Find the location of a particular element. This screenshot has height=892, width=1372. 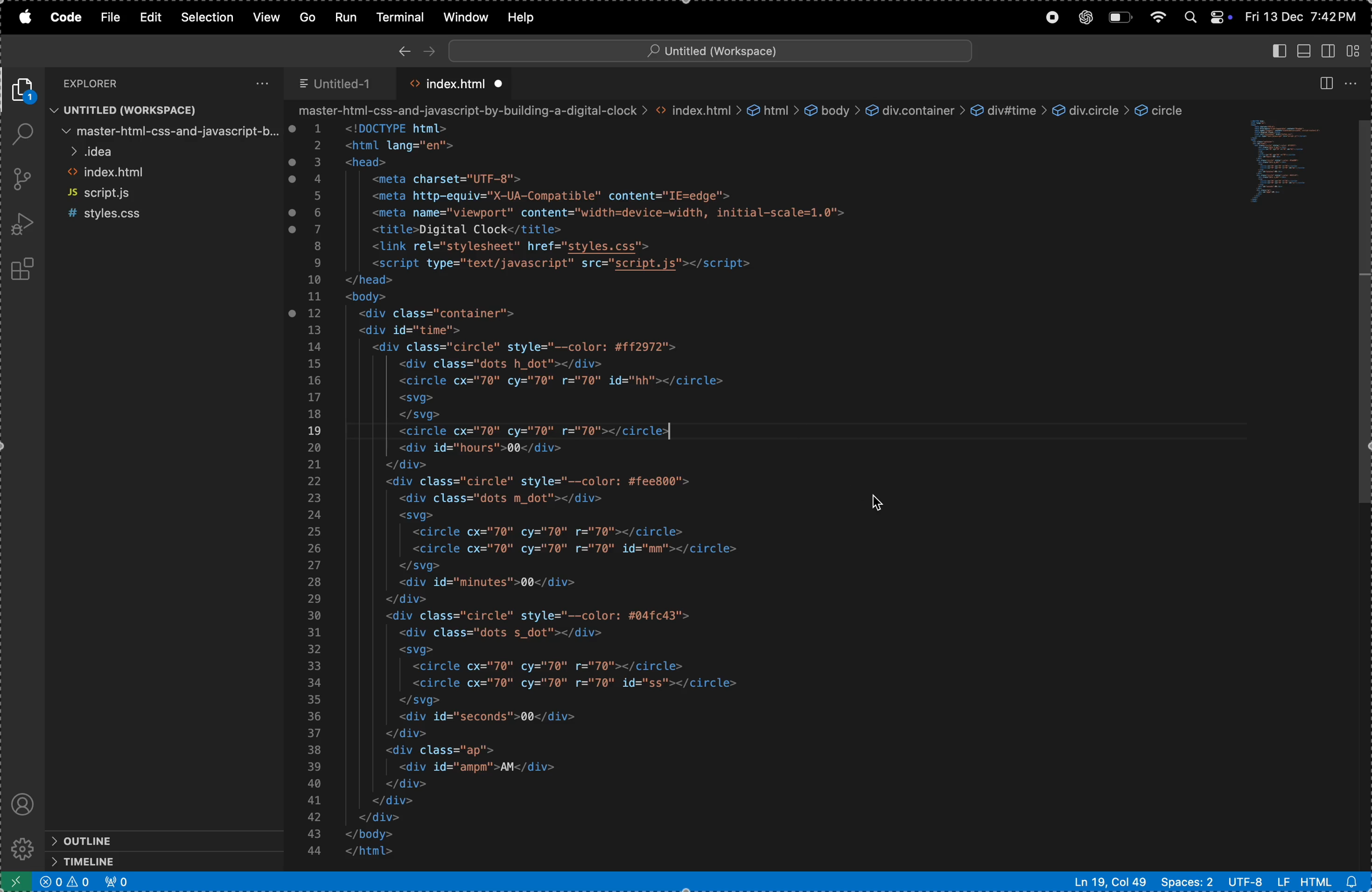

date and time is located at coordinates (1302, 17).